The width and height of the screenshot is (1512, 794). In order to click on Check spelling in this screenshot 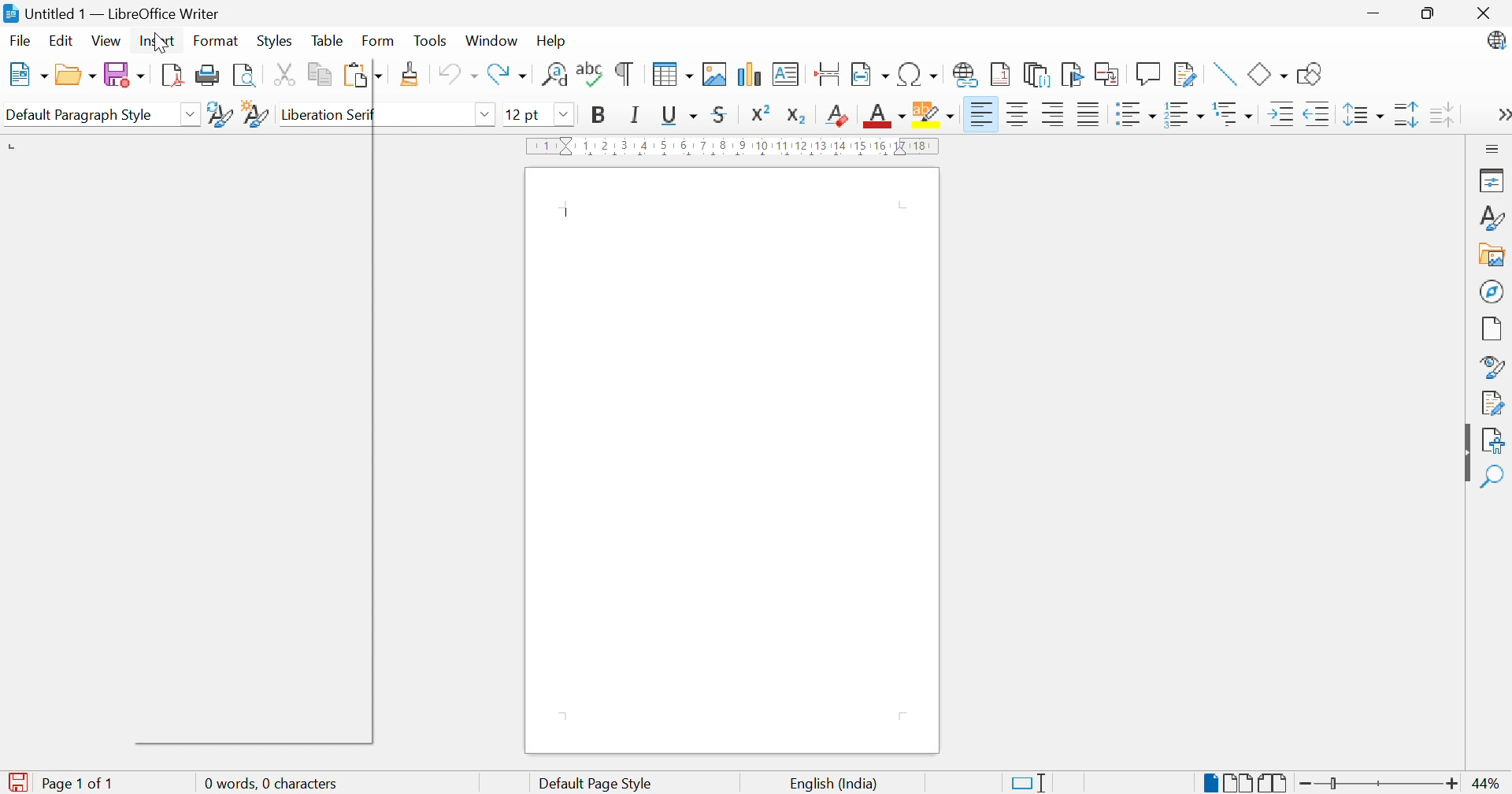, I will do `click(589, 74)`.